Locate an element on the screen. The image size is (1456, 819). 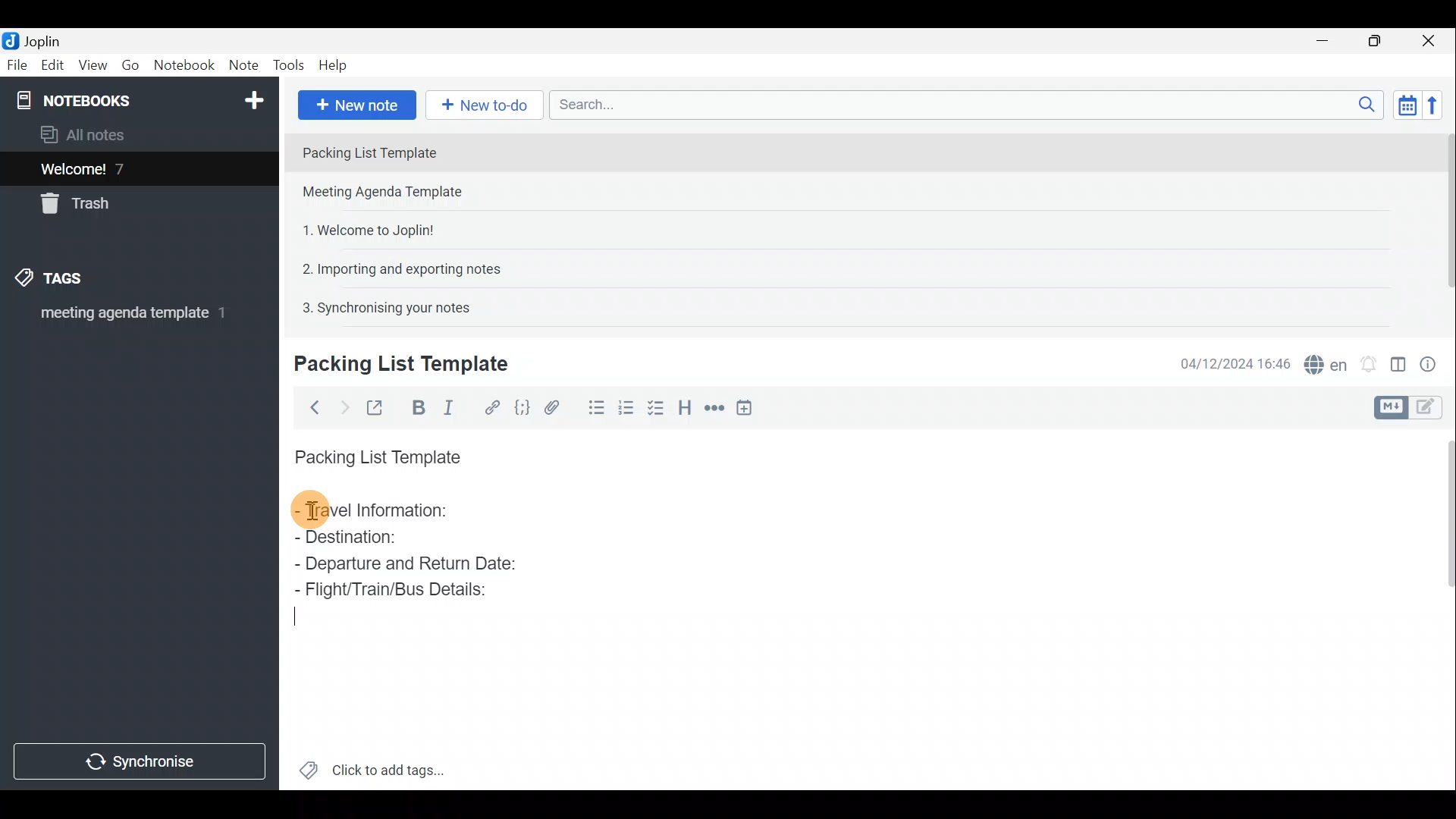
Search bar is located at coordinates (962, 106).